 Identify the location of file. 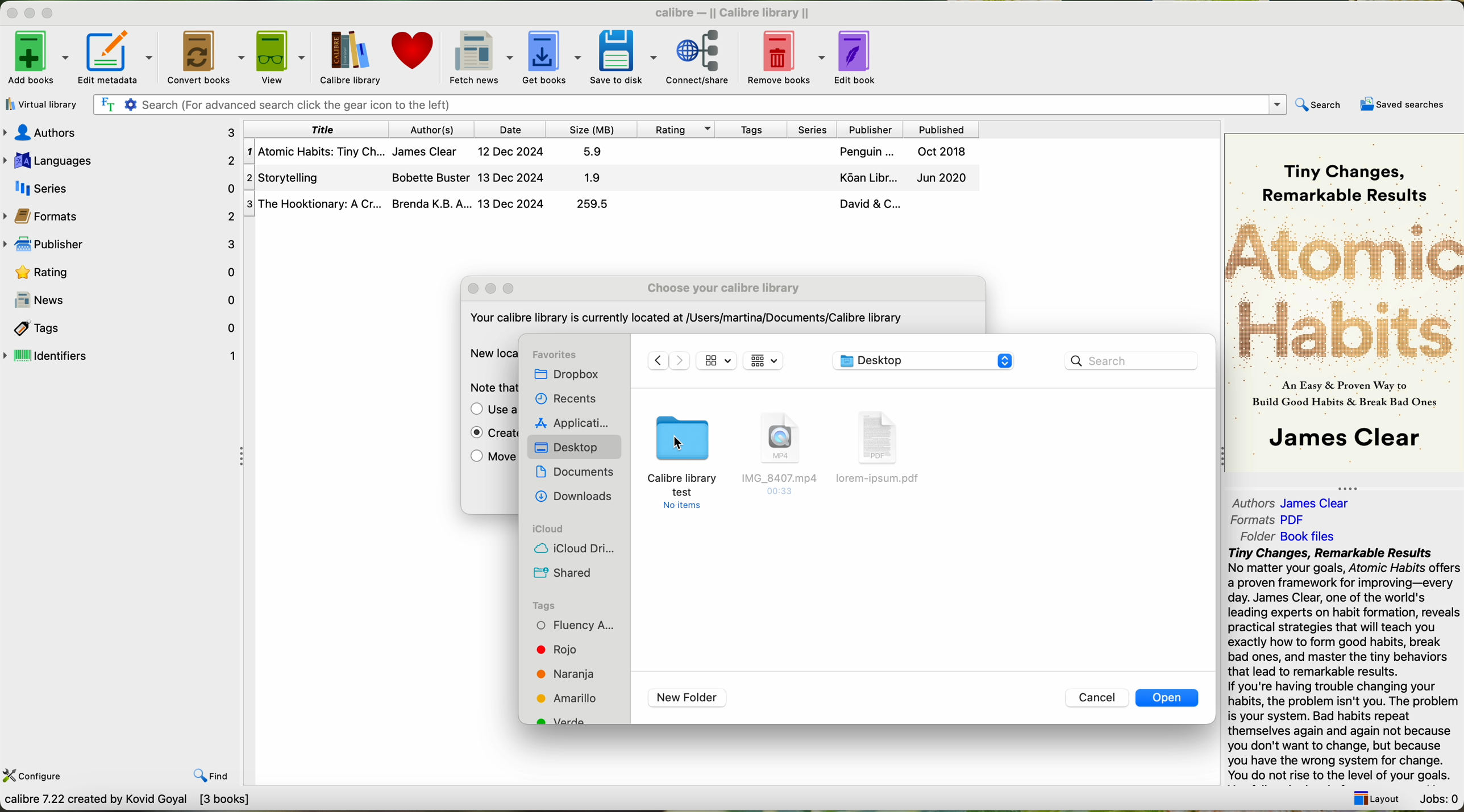
(881, 448).